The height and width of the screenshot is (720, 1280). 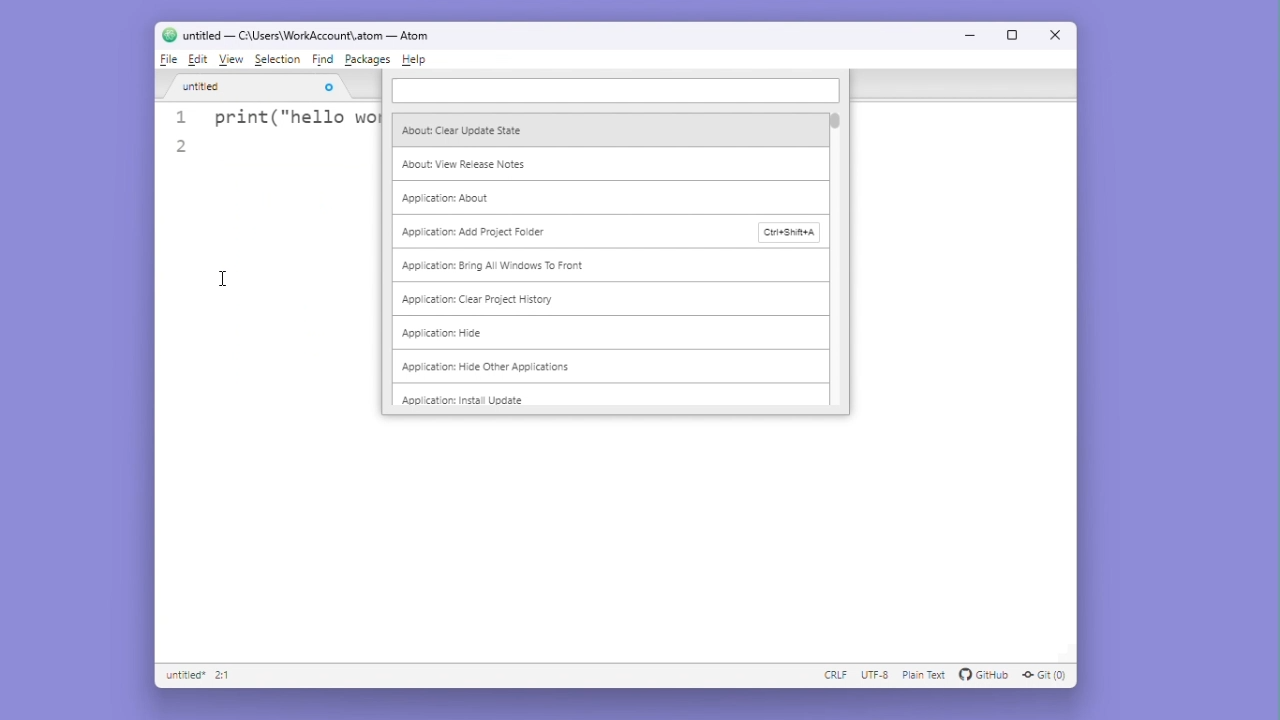 I want to click on Application: about, so click(x=455, y=199).